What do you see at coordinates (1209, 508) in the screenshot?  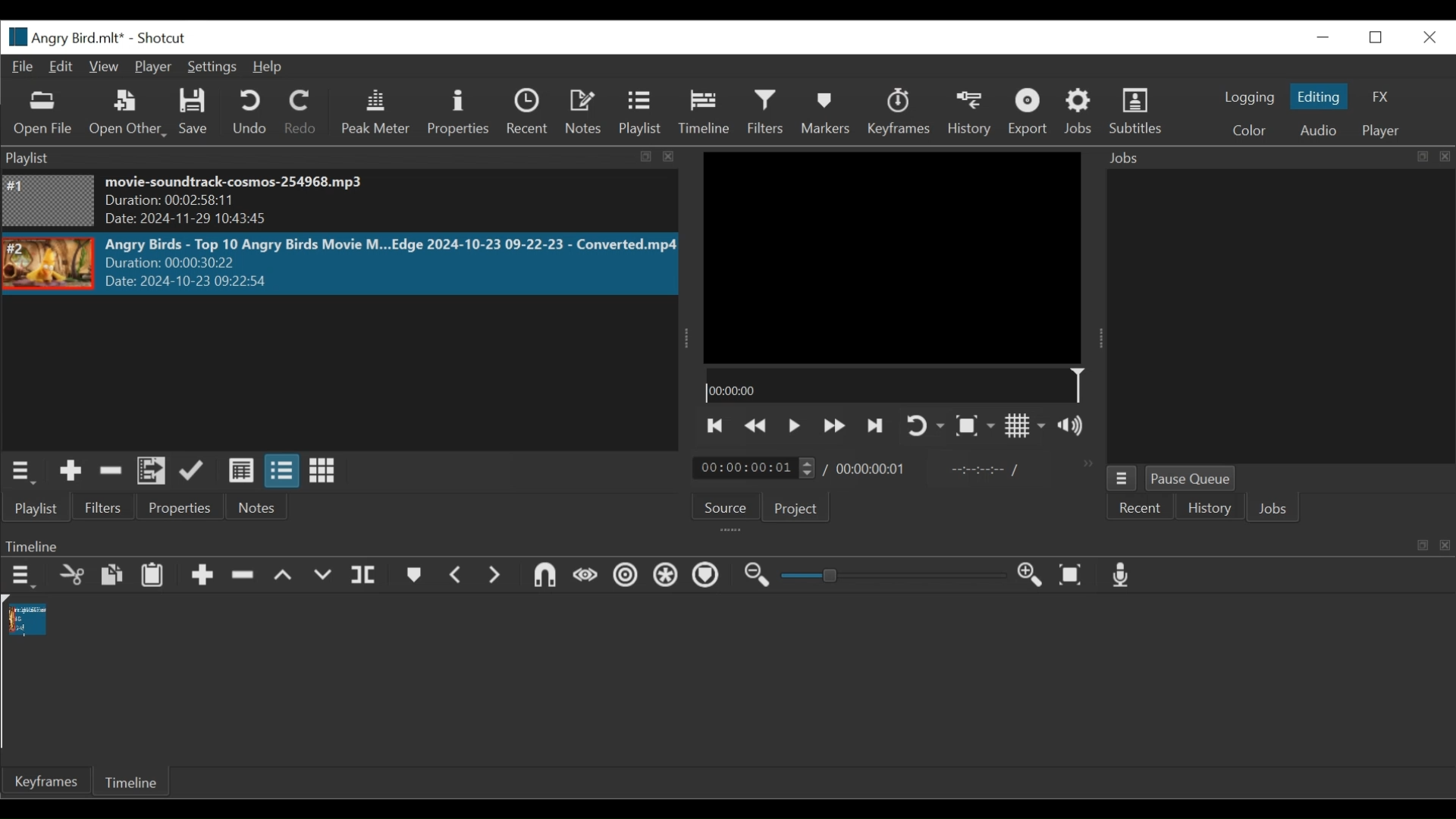 I see `History` at bounding box center [1209, 508].